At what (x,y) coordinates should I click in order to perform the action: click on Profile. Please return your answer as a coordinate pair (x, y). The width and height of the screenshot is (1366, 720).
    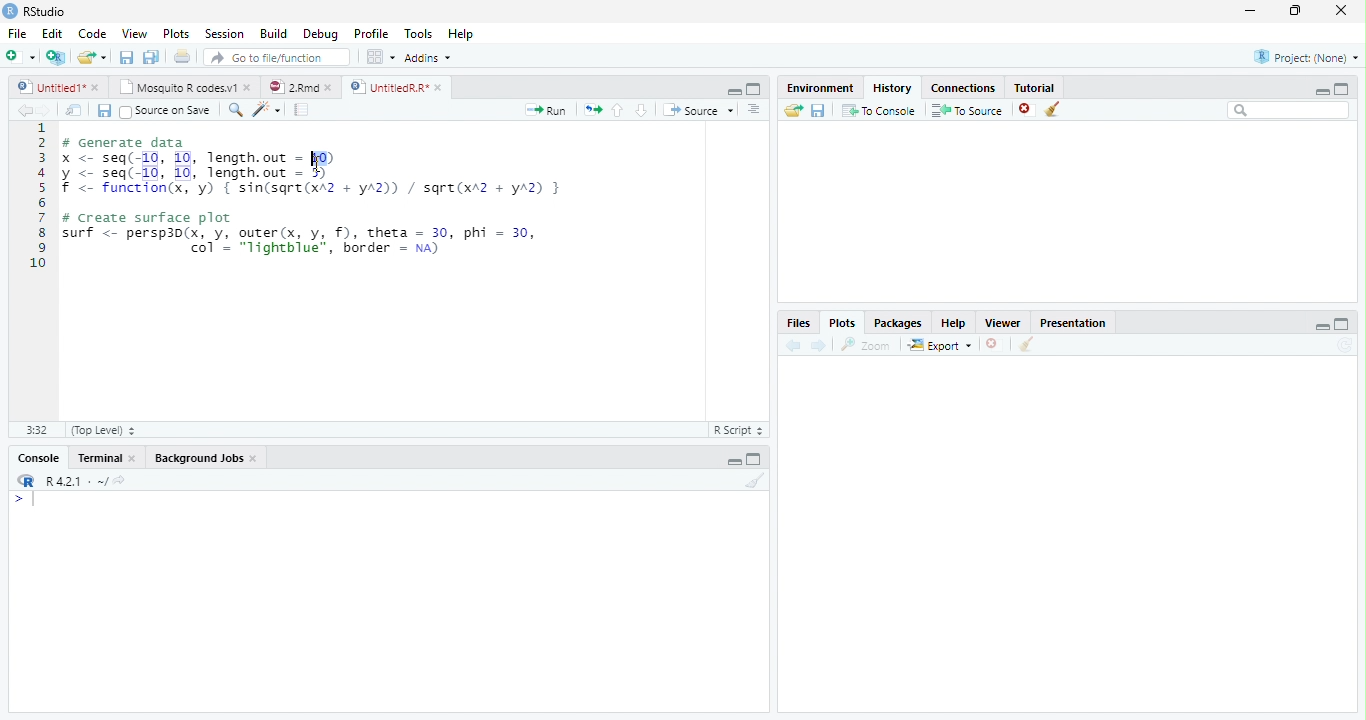
    Looking at the image, I should click on (372, 33).